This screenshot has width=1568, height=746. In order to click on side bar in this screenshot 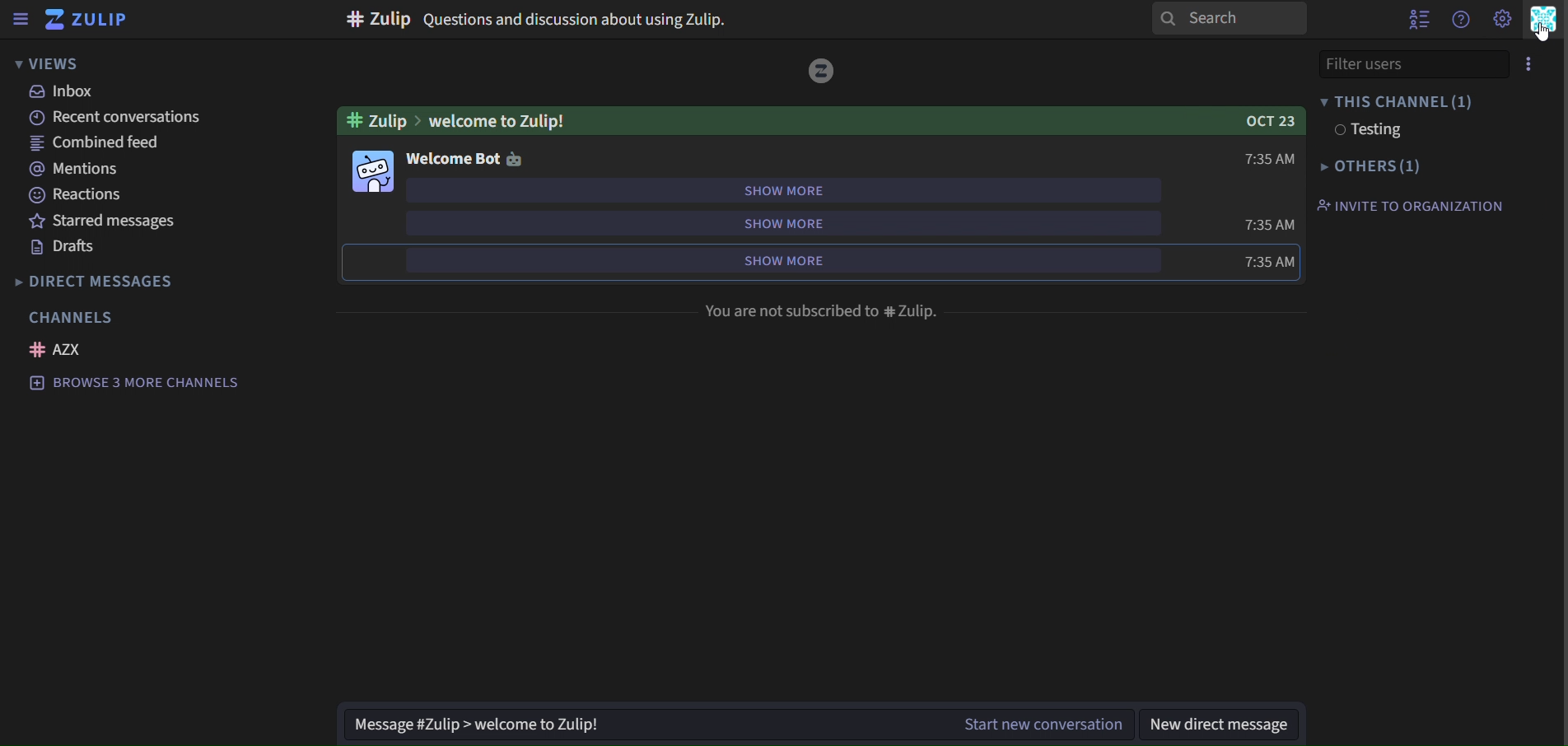, I will do `click(19, 19)`.